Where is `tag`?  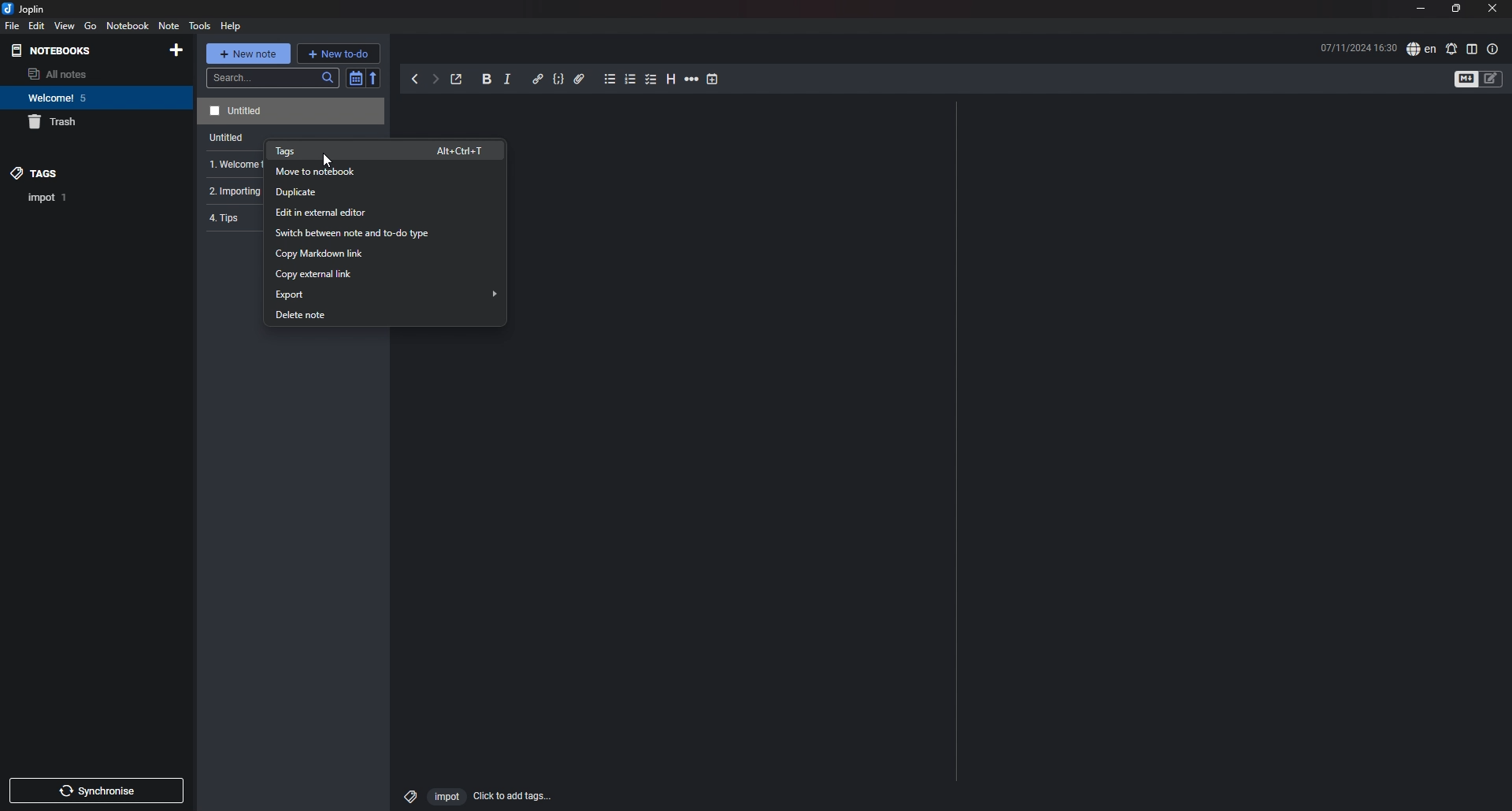
tag is located at coordinates (407, 794).